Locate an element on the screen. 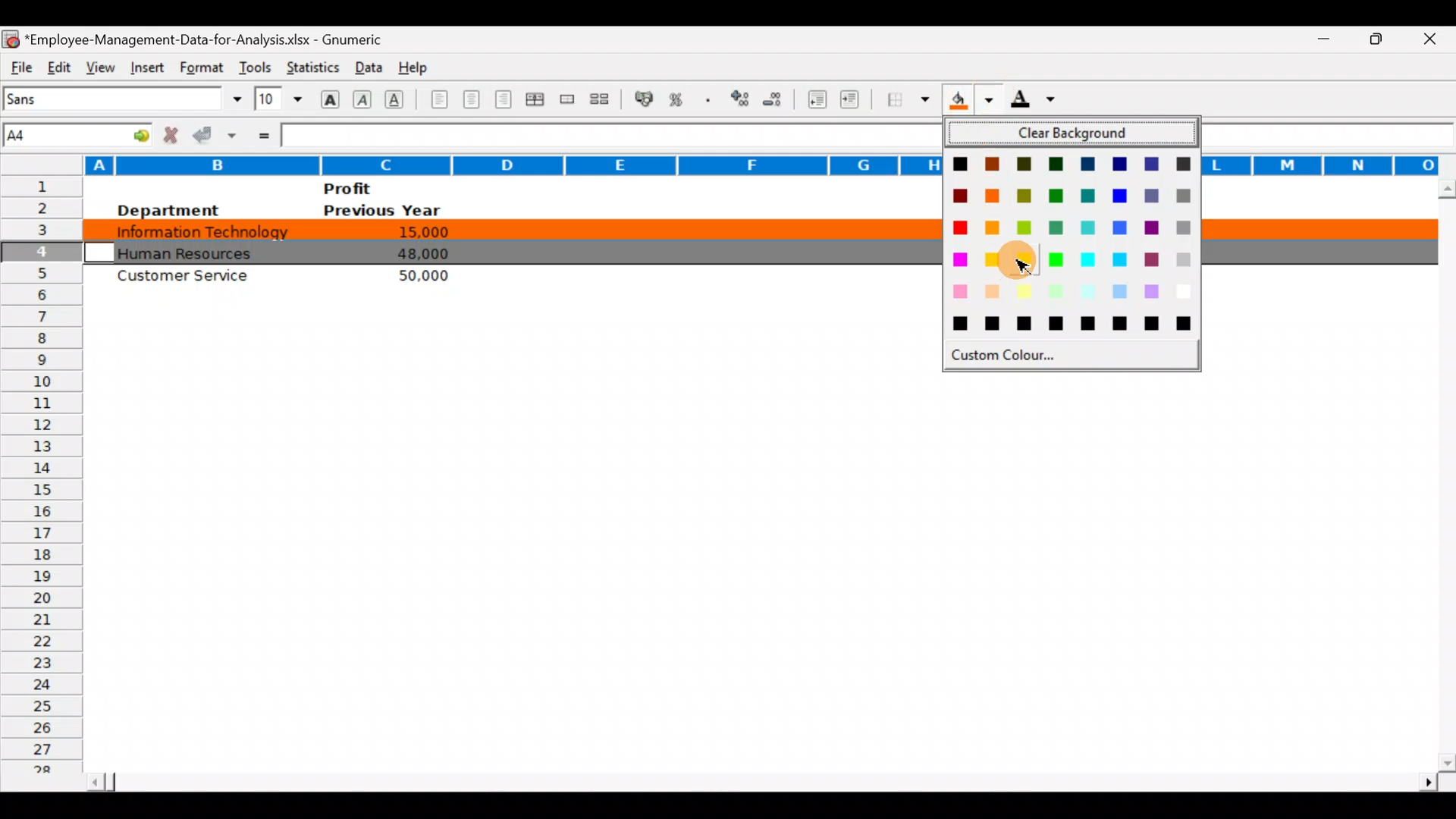 The image size is (1456, 819). Align right is located at coordinates (506, 99).